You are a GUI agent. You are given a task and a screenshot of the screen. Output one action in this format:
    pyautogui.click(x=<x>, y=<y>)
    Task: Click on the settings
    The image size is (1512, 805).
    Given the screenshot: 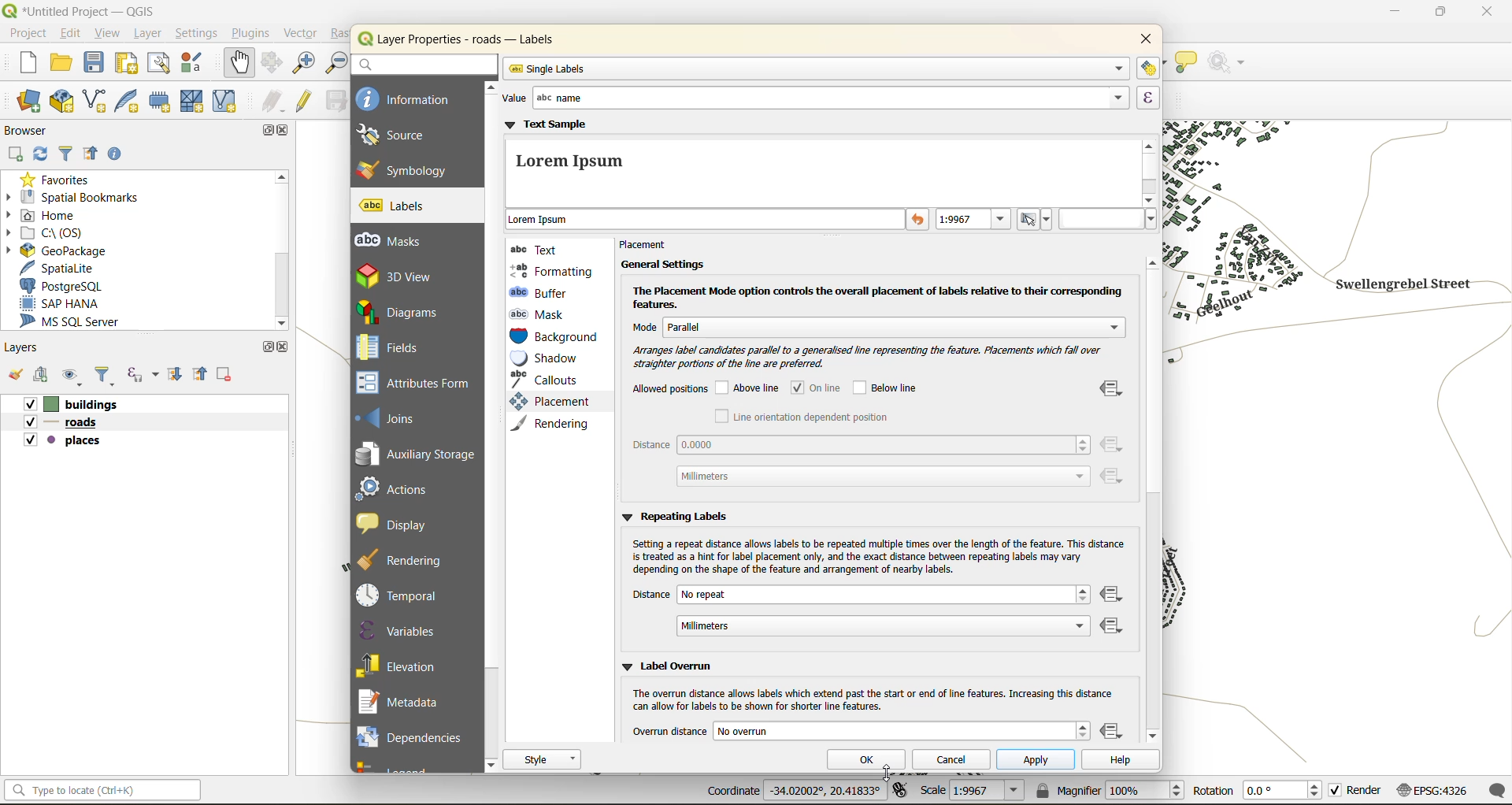 What is the action you would take?
    pyautogui.click(x=197, y=35)
    